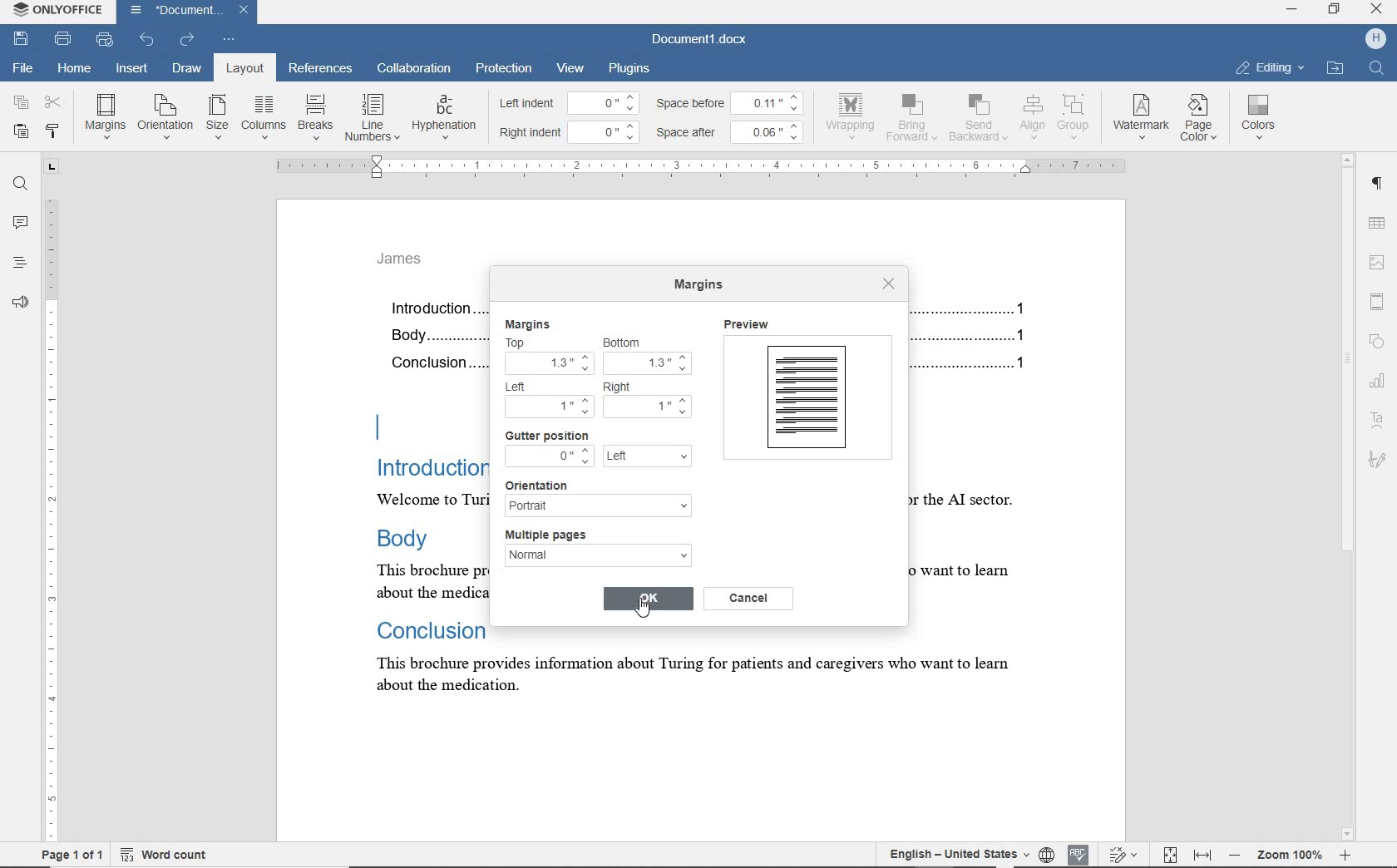 Image resolution: width=1397 pixels, height=868 pixels. Describe the element at coordinates (444, 118) in the screenshot. I see `hyphenation` at that location.